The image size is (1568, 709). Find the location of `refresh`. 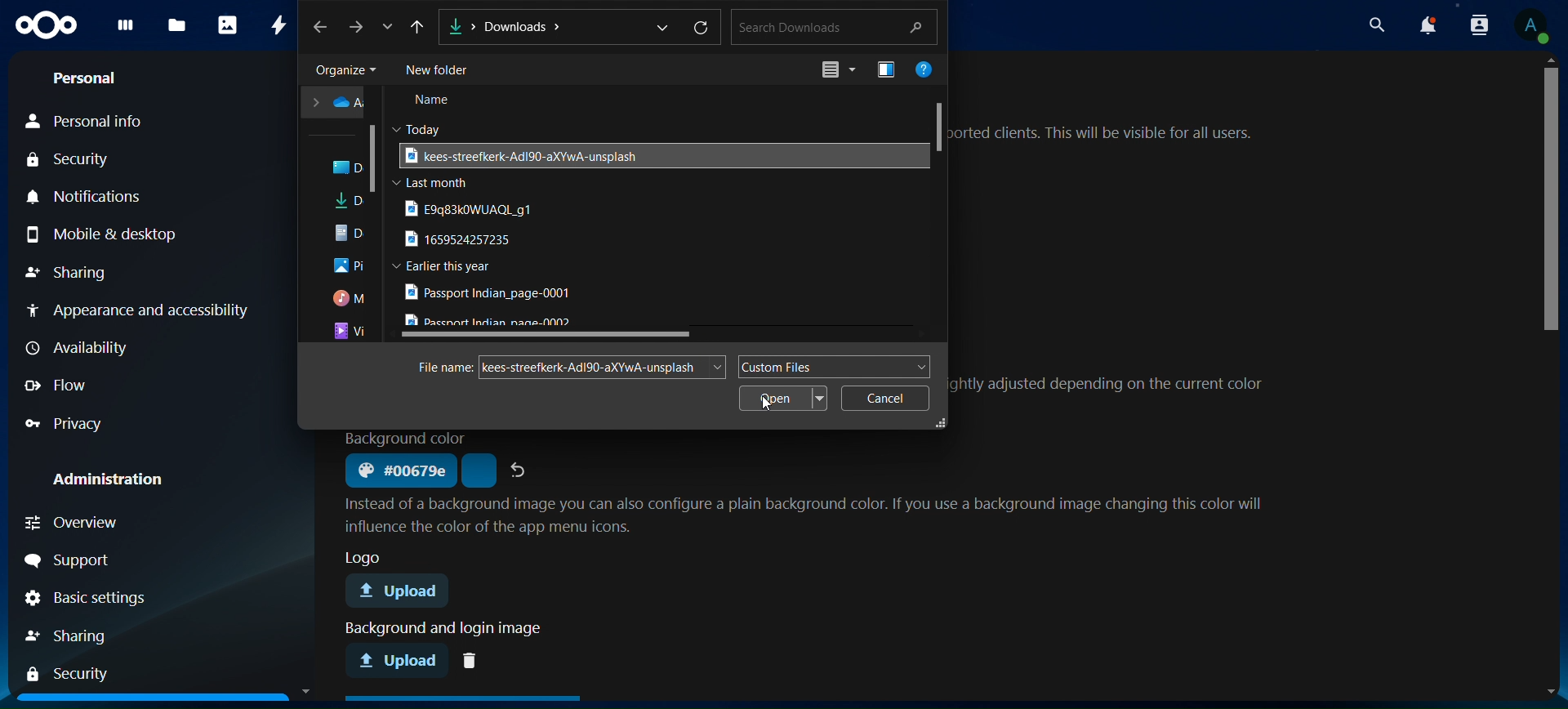

refresh is located at coordinates (520, 469).